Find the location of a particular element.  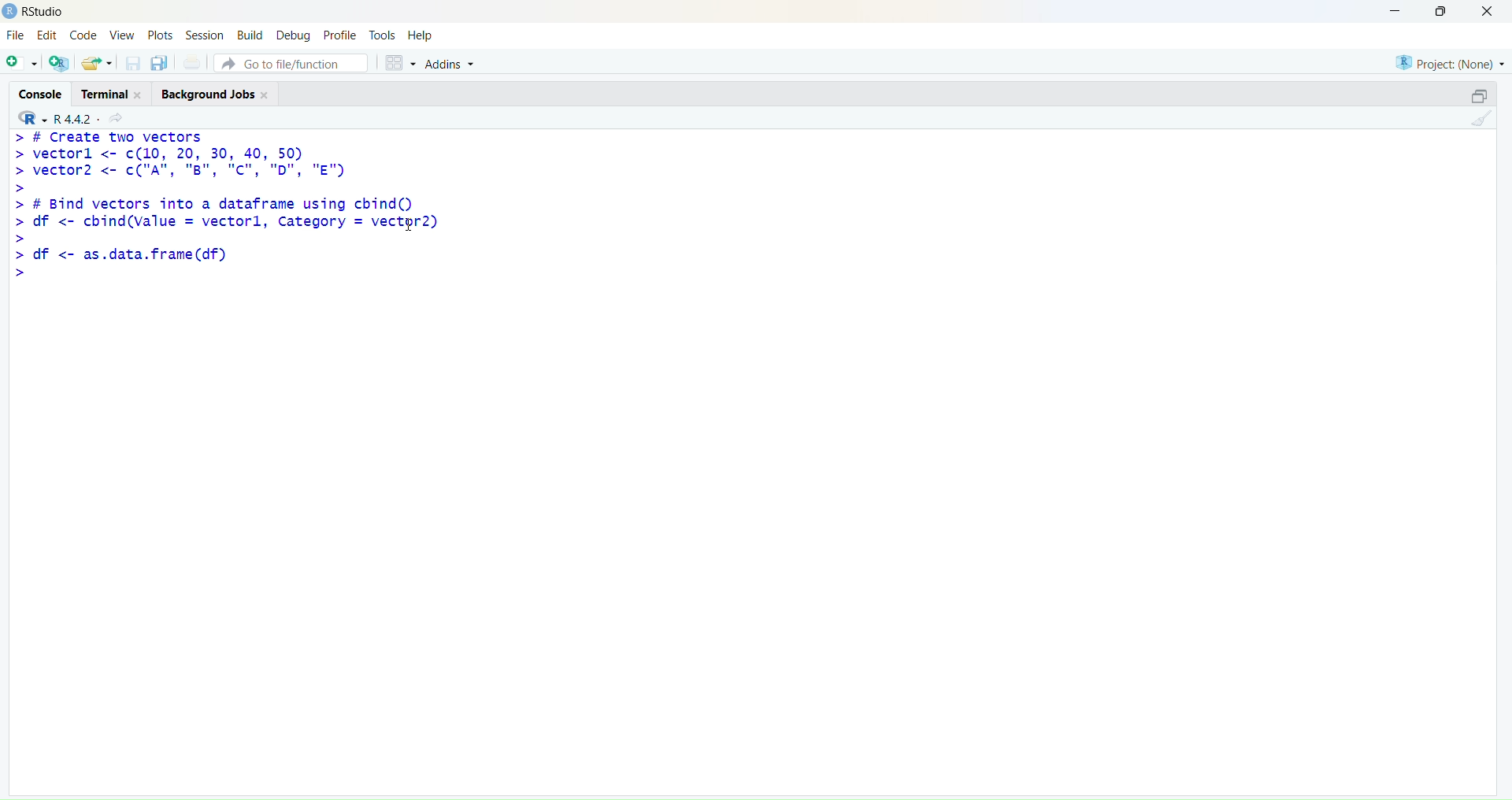

Terminal is located at coordinates (109, 94).